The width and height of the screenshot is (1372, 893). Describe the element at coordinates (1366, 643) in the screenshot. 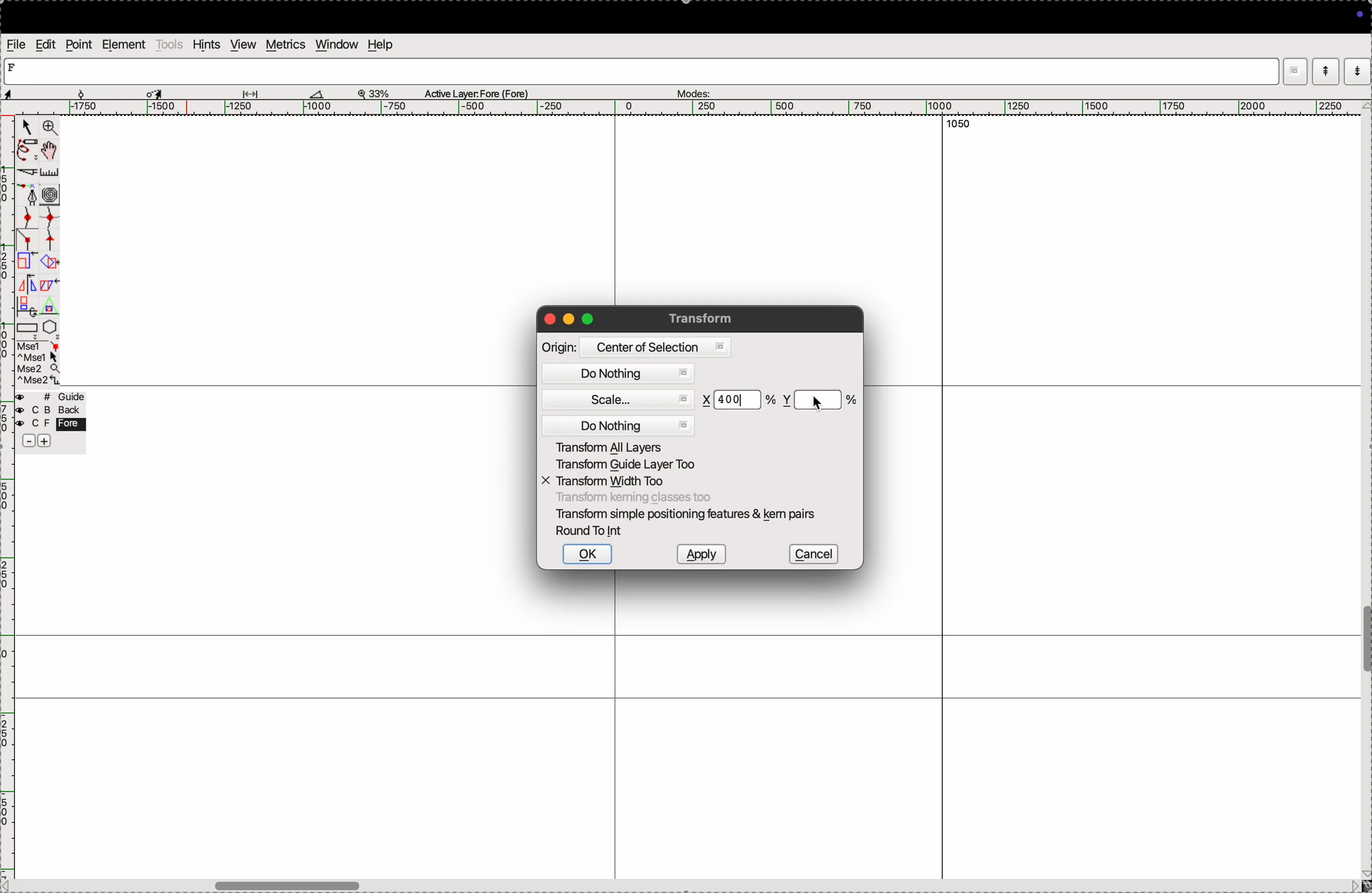

I see `toogle` at that location.